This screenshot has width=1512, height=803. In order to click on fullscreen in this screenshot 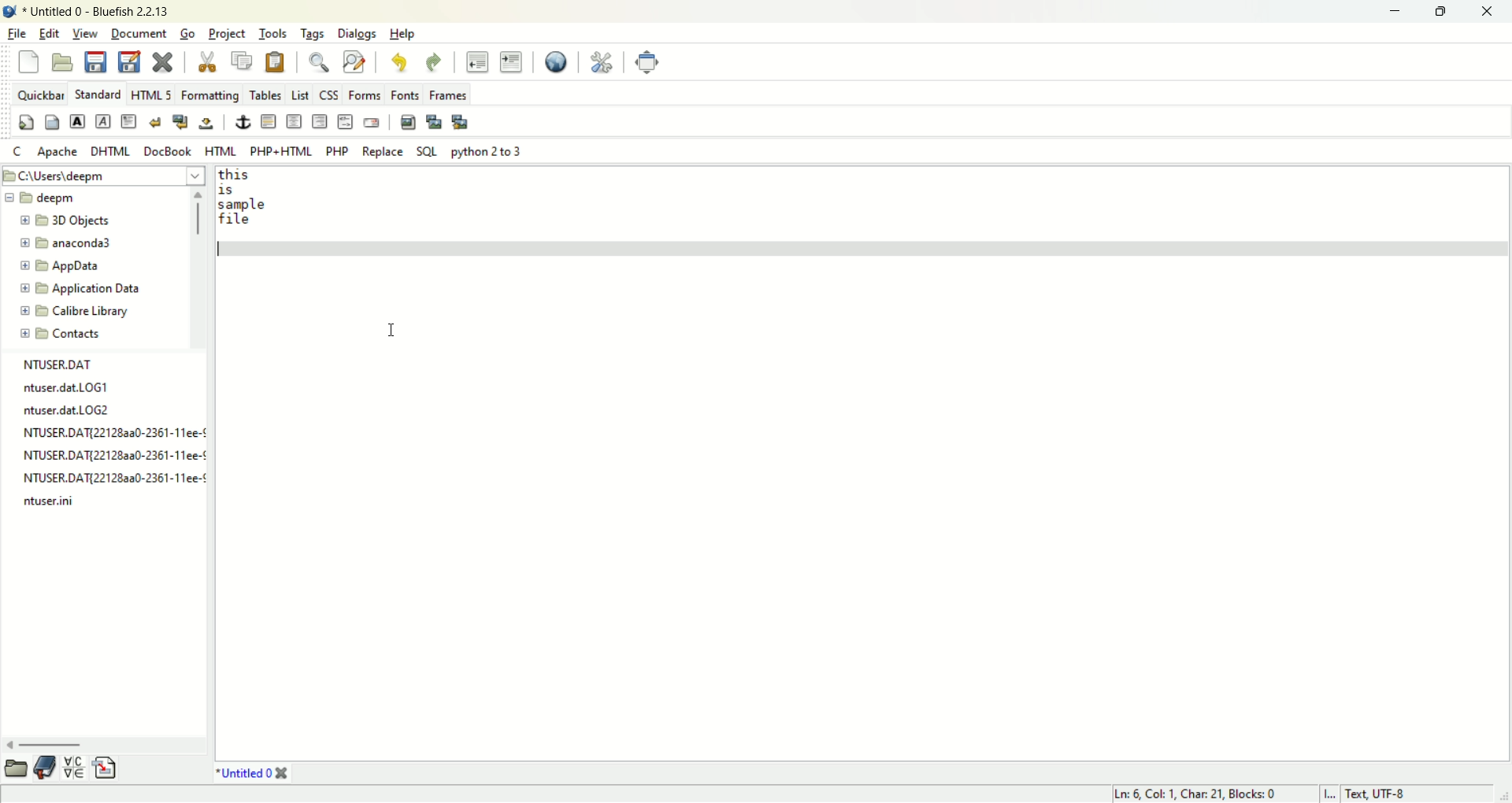, I will do `click(647, 60)`.